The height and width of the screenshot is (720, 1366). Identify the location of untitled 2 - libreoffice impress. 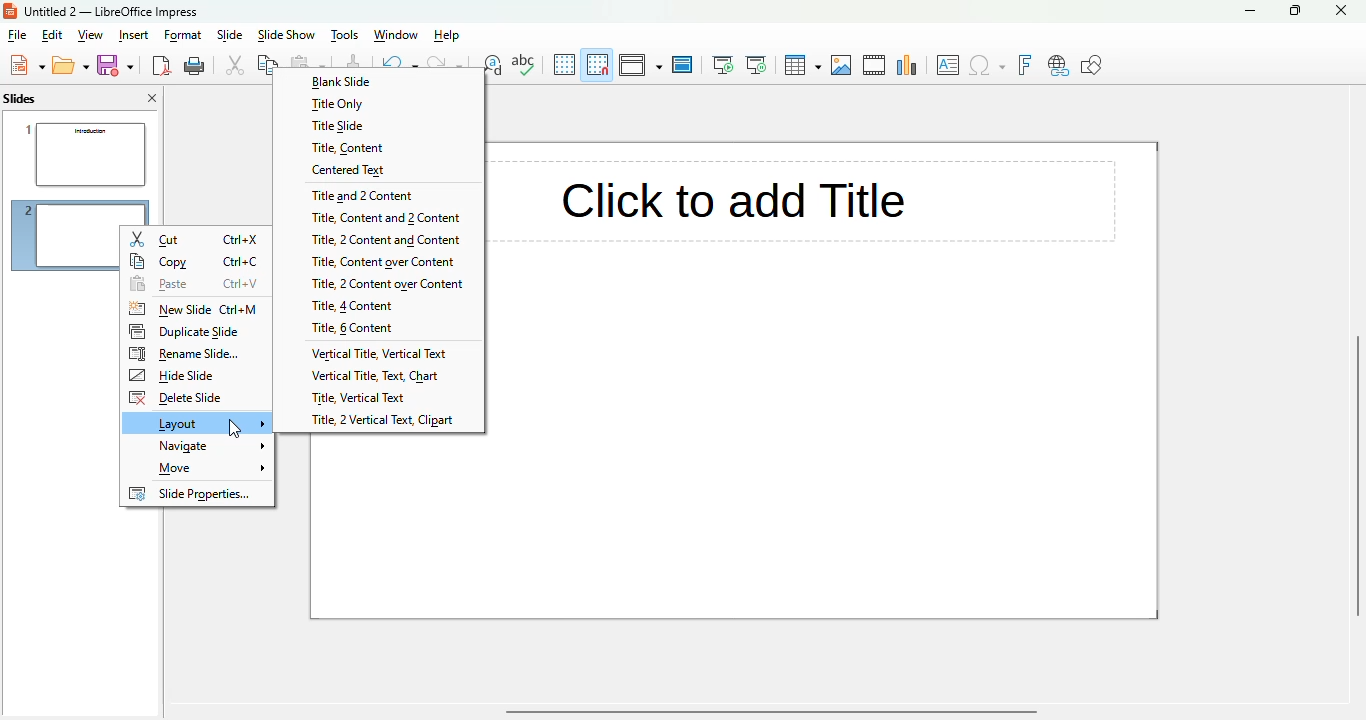
(111, 11).